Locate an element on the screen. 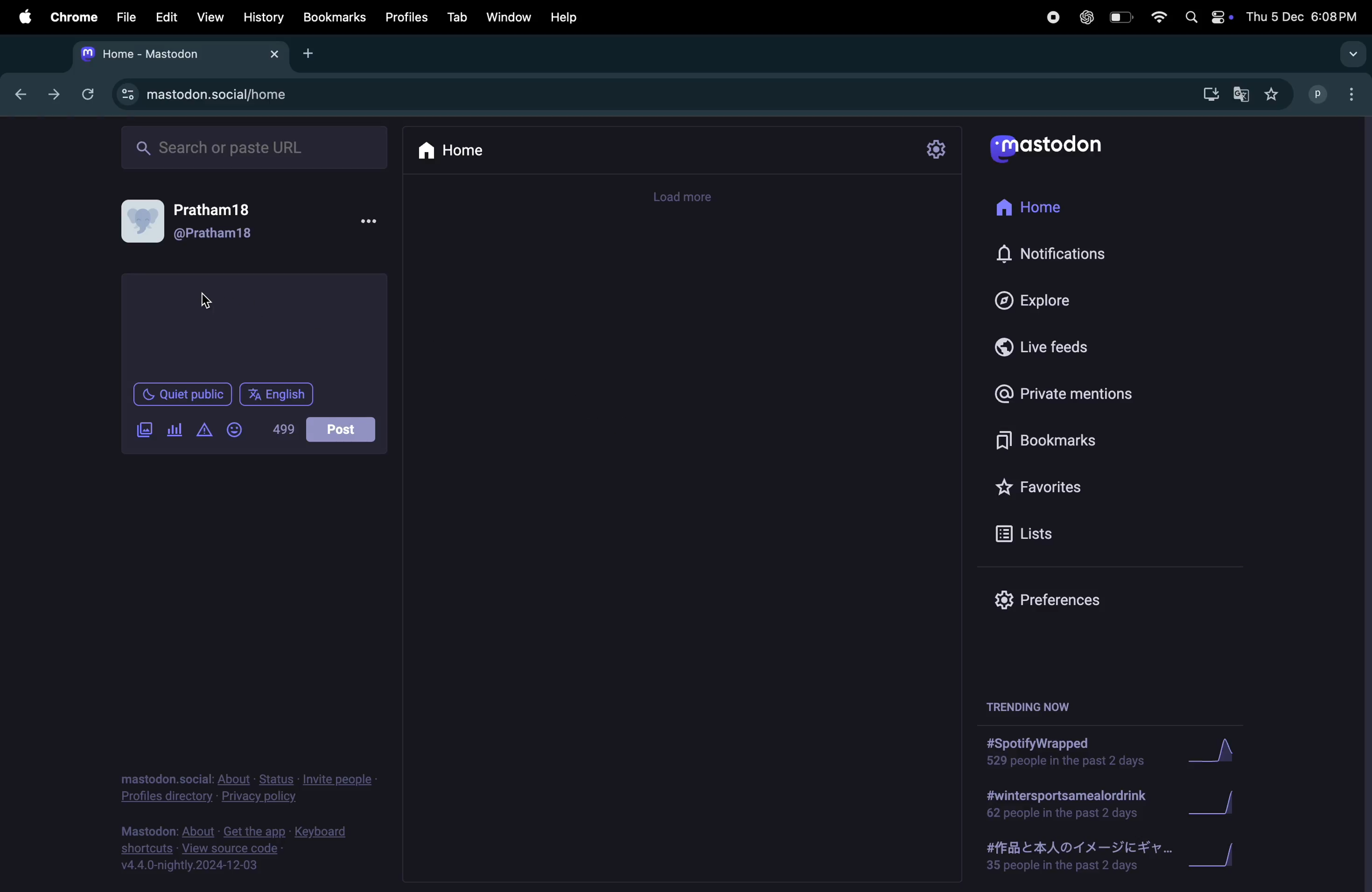  user profile is located at coordinates (1336, 93).